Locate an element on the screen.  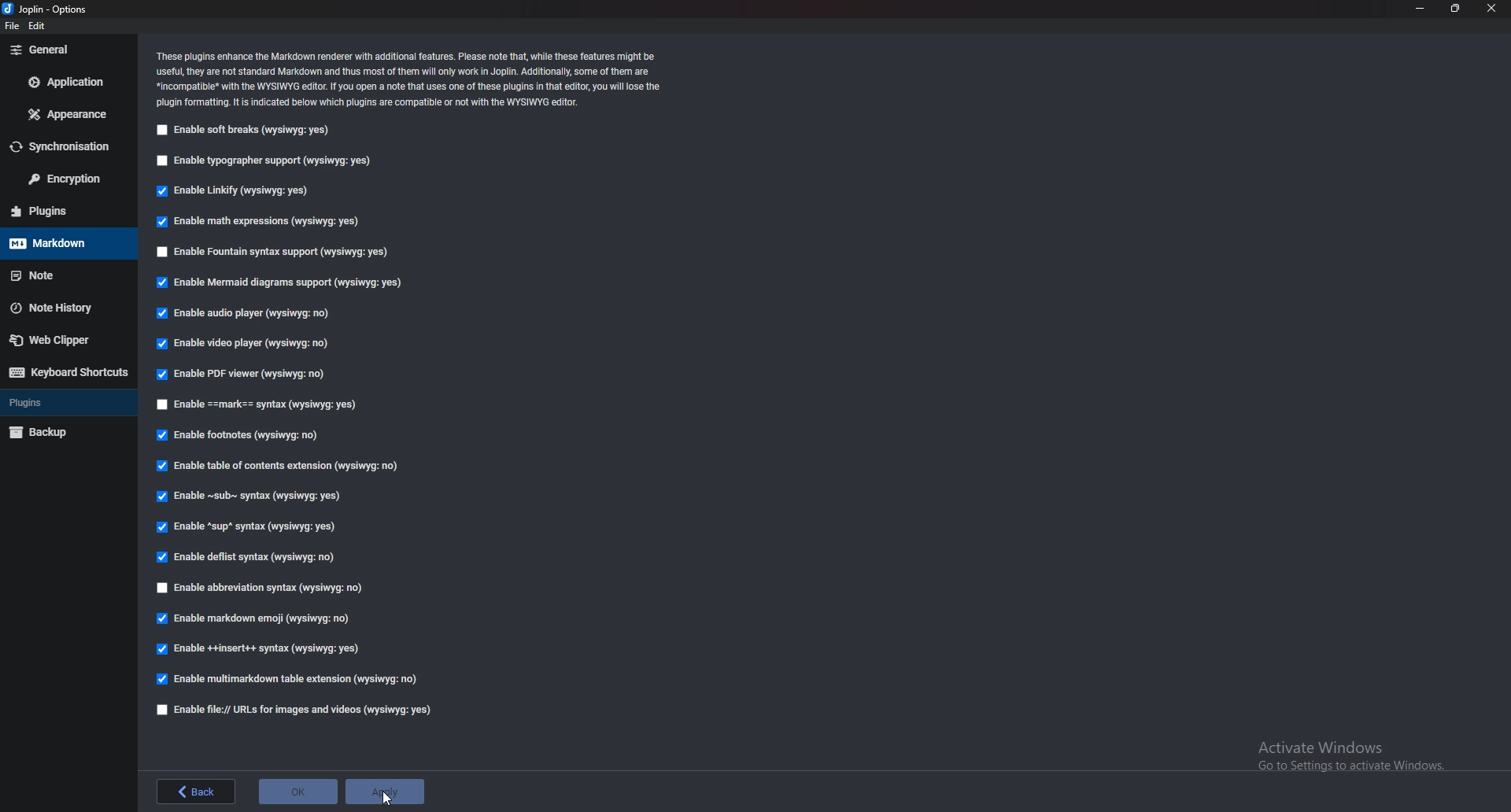
markdown is located at coordinates (59, 244).